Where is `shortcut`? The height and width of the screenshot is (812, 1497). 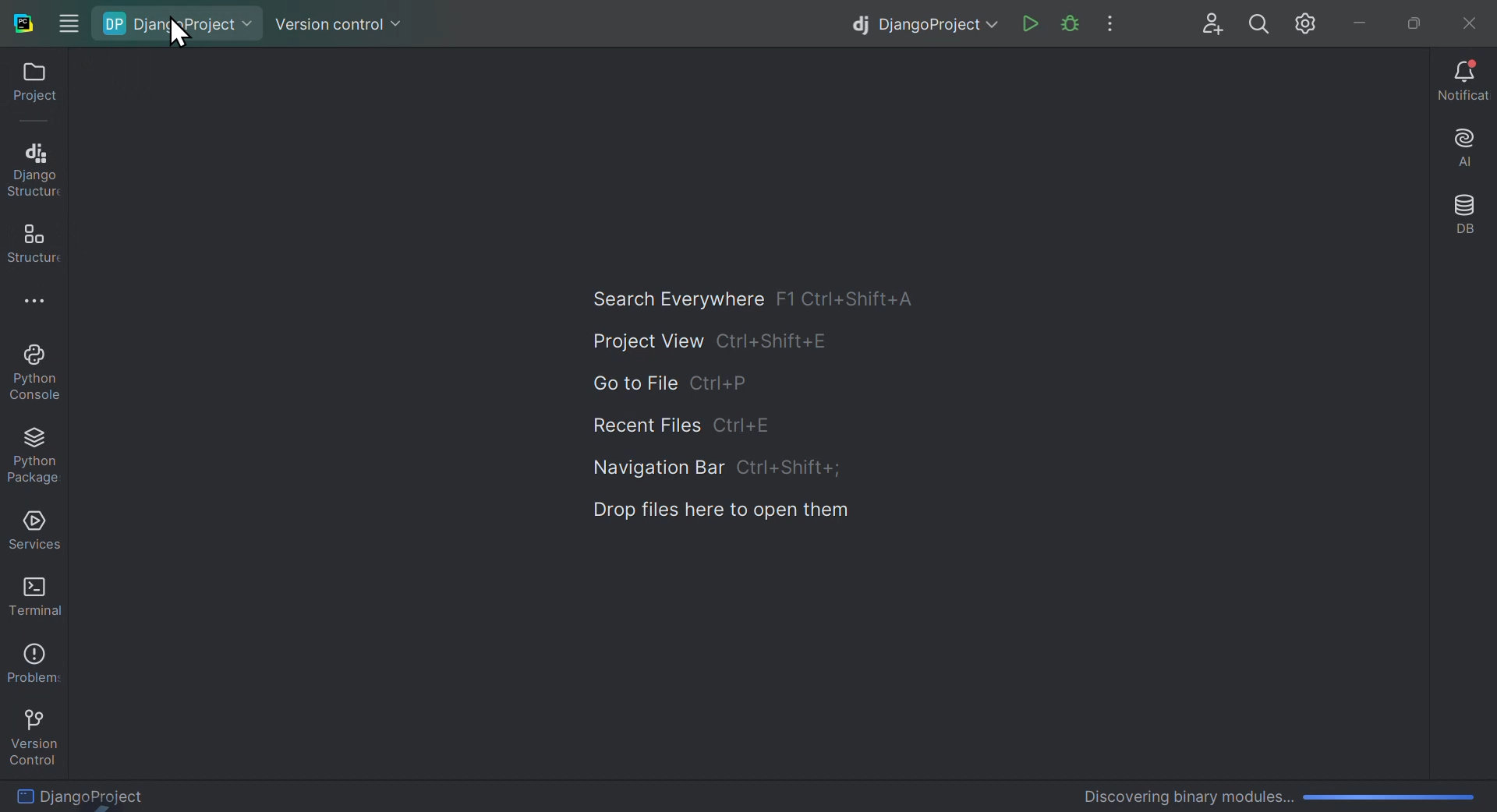 shortcut is located at coordinates (787, 468).